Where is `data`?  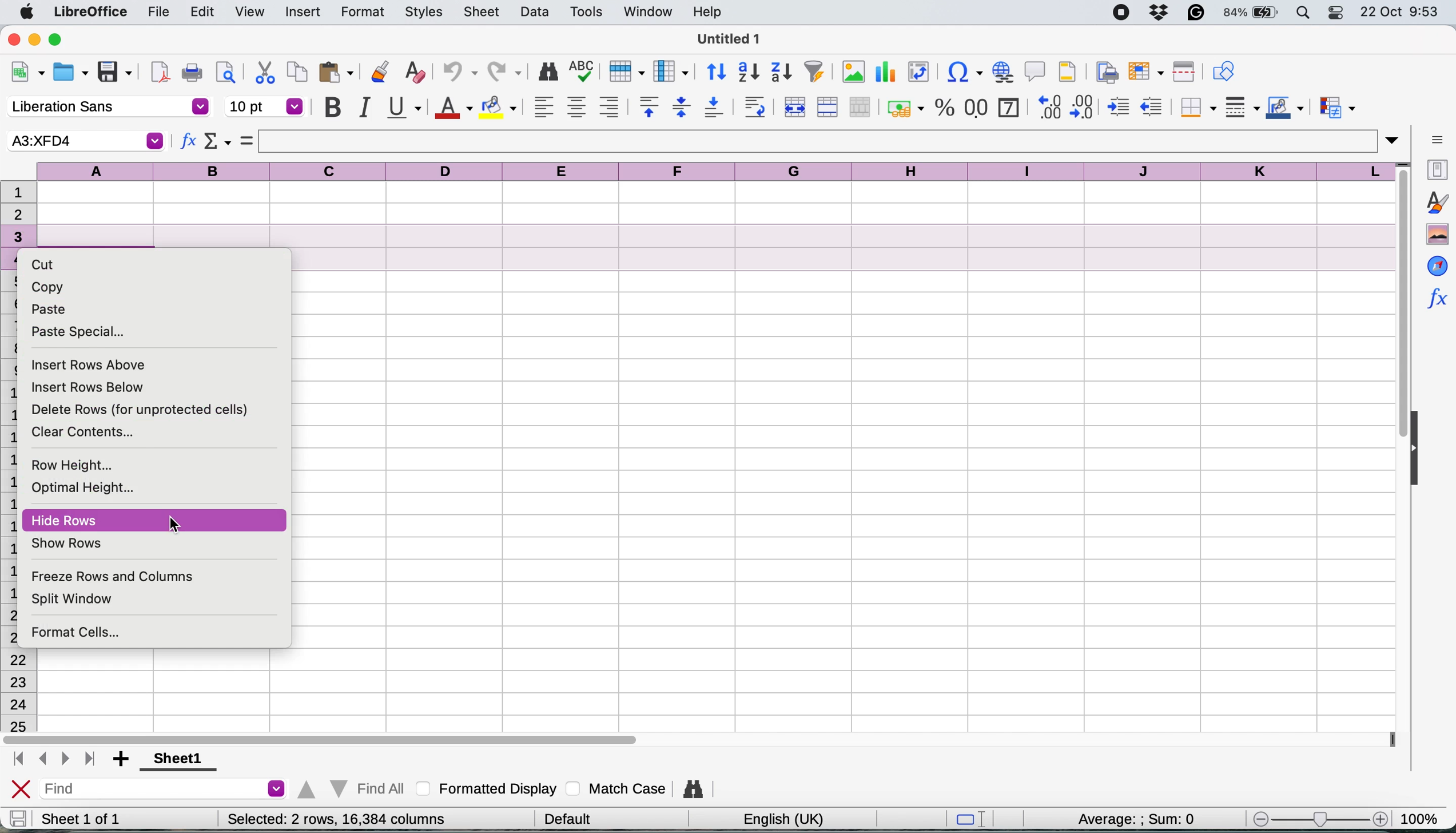 data is located at coordinates (537, 11).